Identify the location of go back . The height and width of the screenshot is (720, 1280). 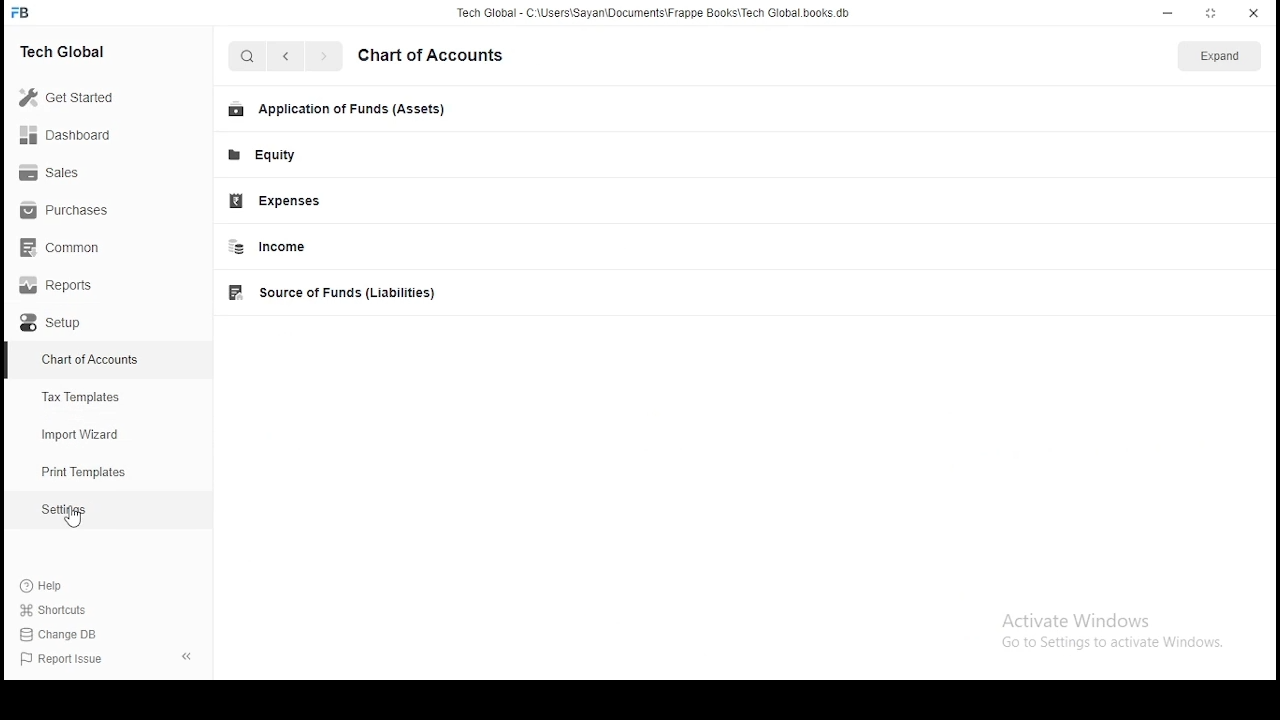
(287, 57).